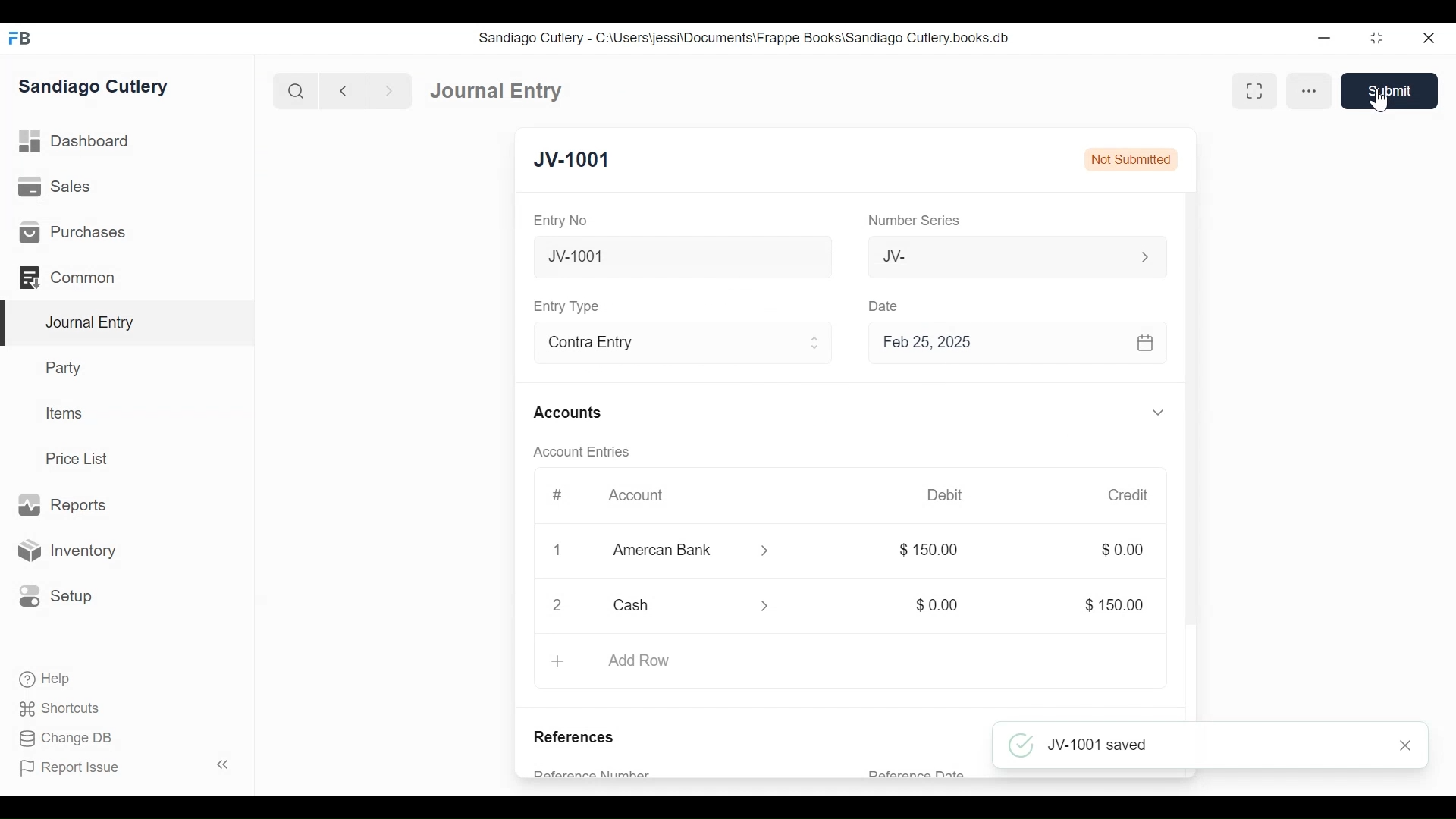  I want to click on Cursor, so click(1385, 103).